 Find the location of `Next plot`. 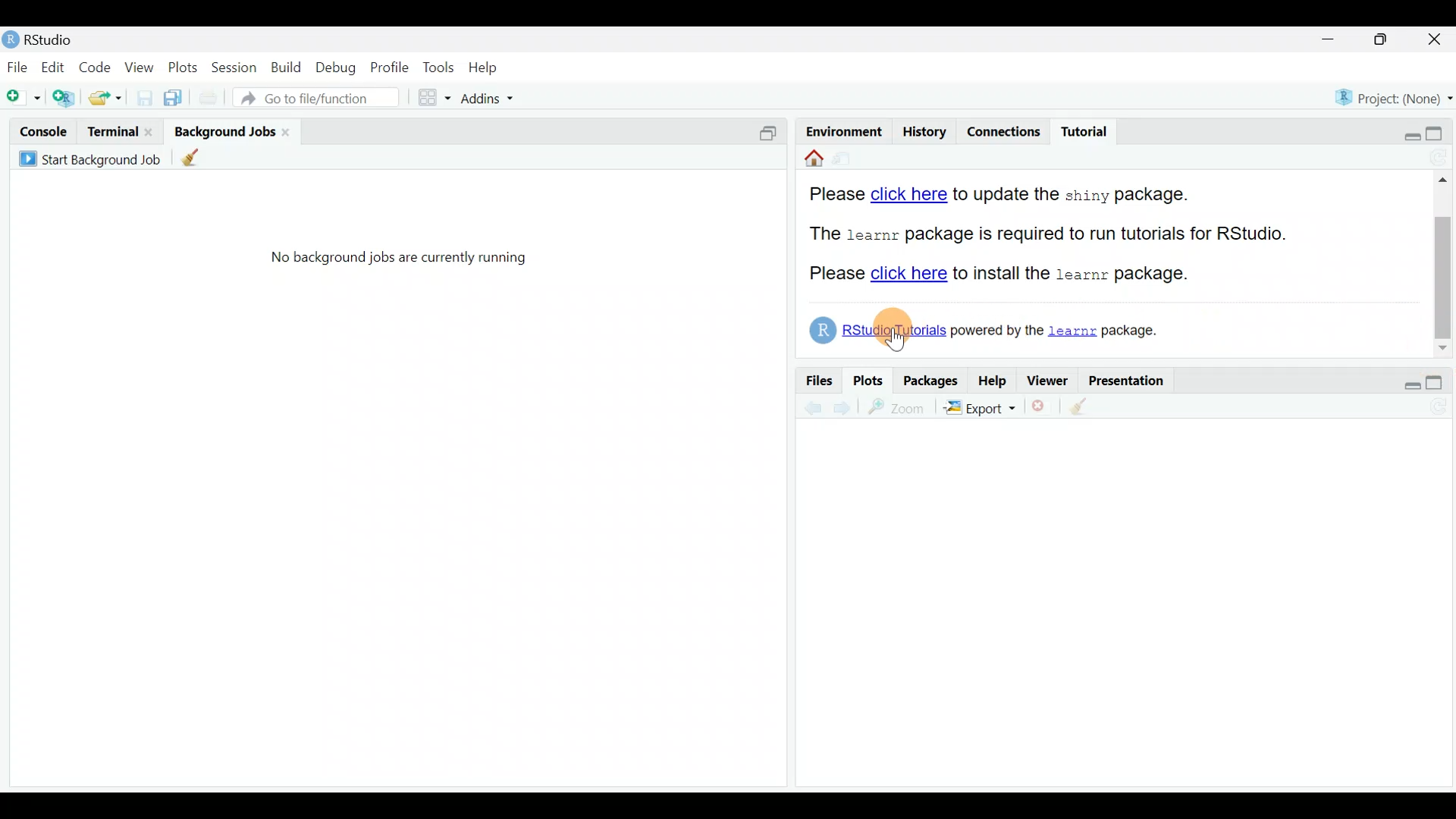

Next plot is located at coordinates (842, 407).